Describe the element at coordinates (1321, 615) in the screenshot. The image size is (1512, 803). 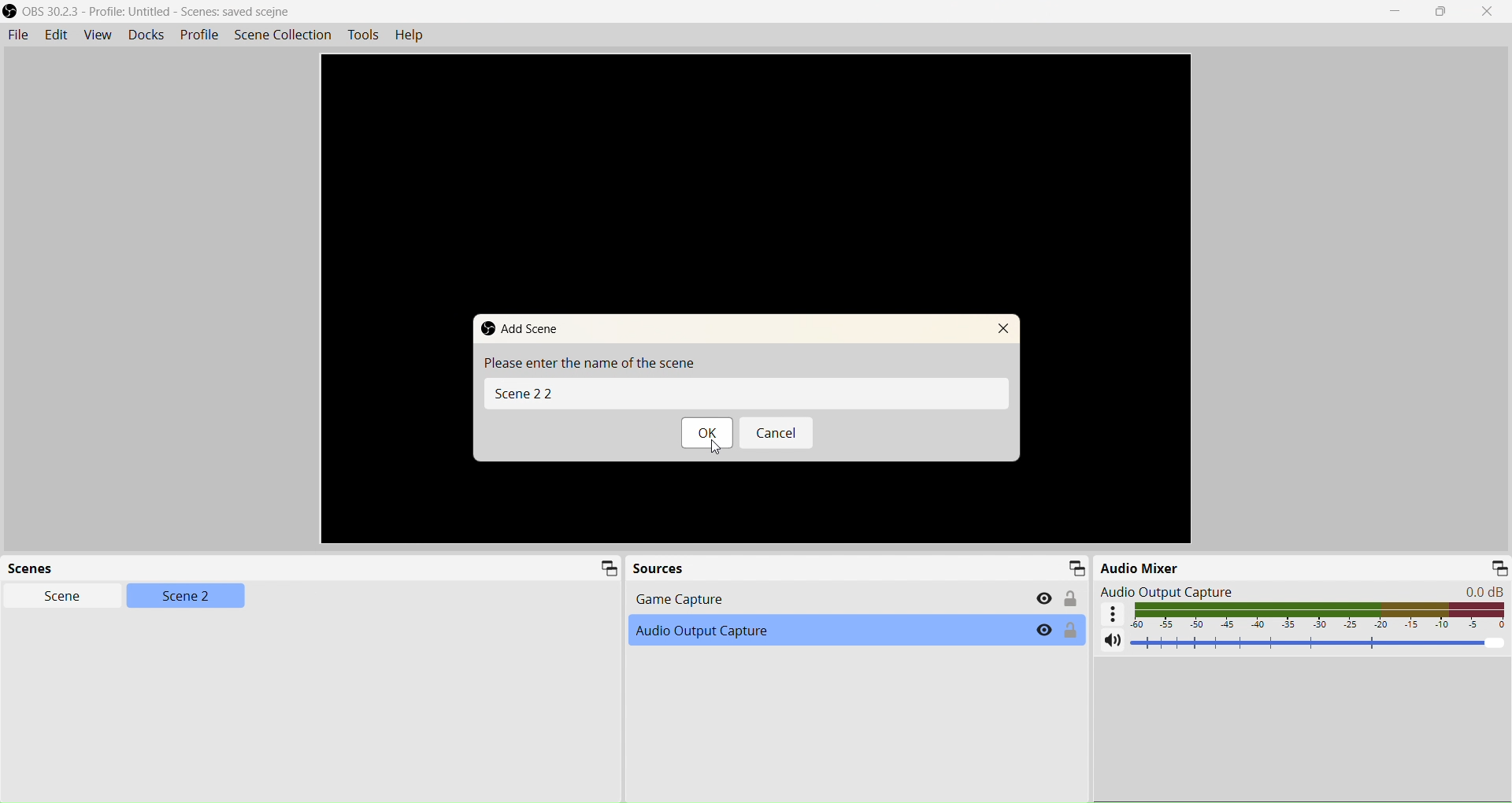
I see `Volume indicator` at that location.